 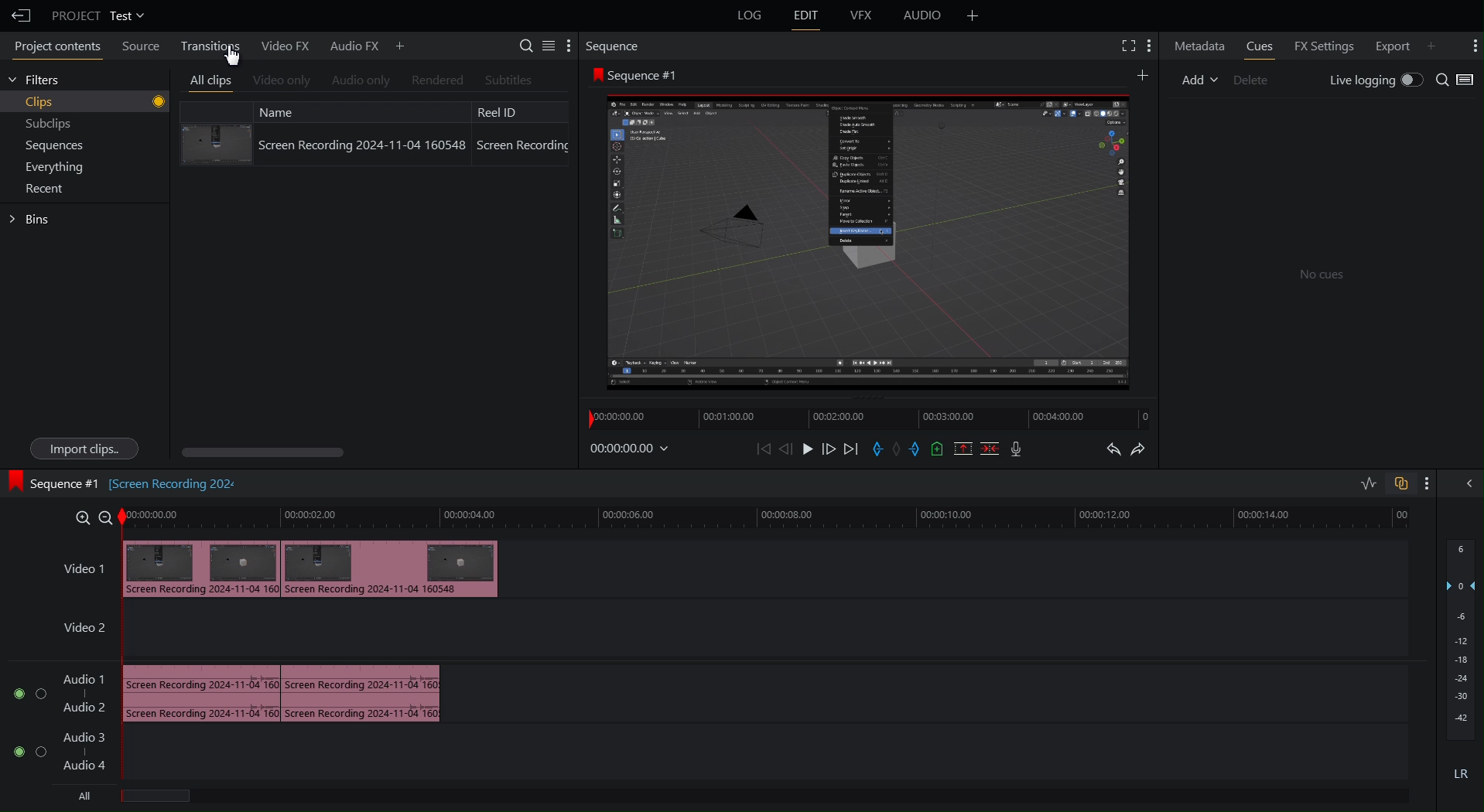 I want to click on toggle, so click(x=39, y=752).